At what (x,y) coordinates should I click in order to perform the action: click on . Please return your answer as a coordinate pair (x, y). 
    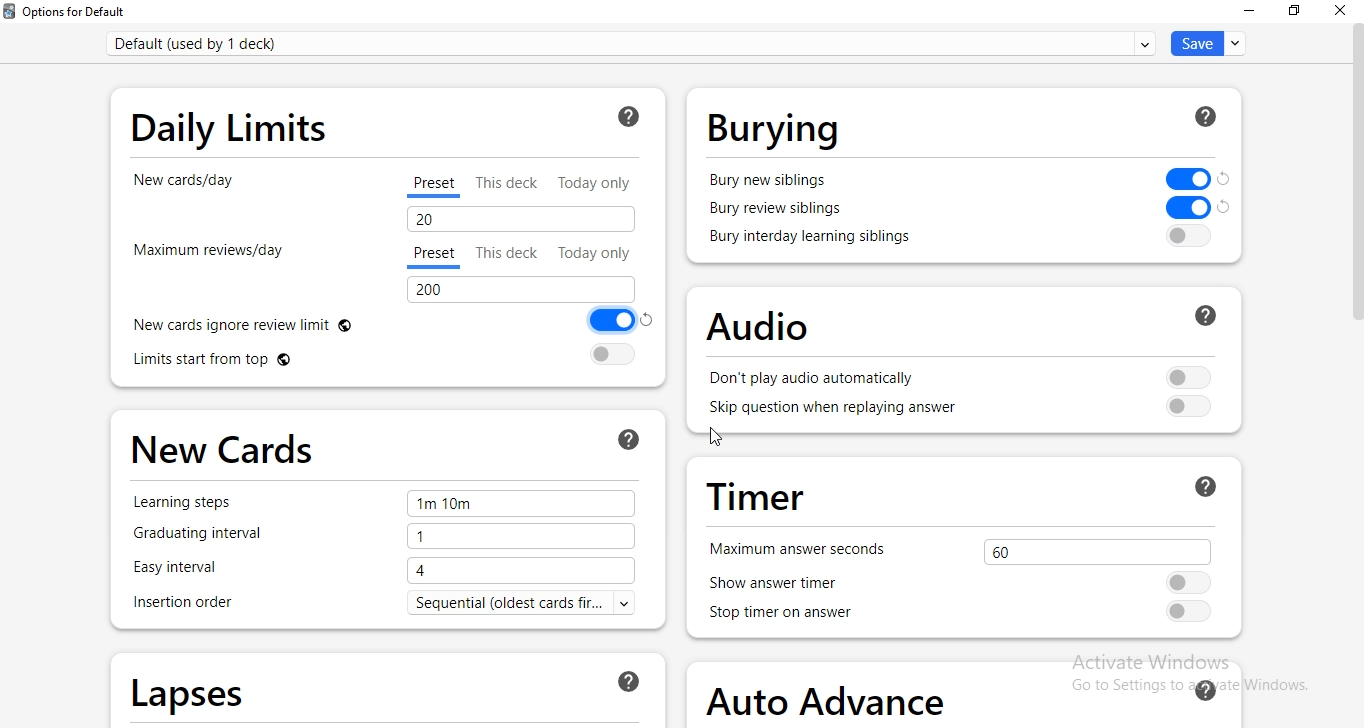
    Looking at the image, I should click on (648, 320).